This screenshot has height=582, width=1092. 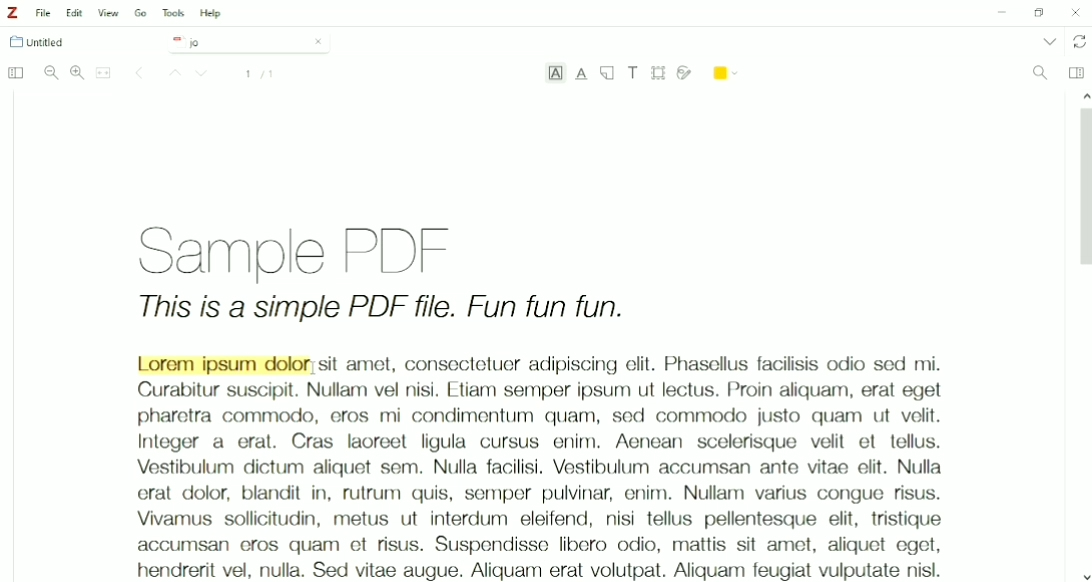 What do you see at coordinates (12, 13) in the screenshot?
I see `Logo` at bounding box center [12, 13].